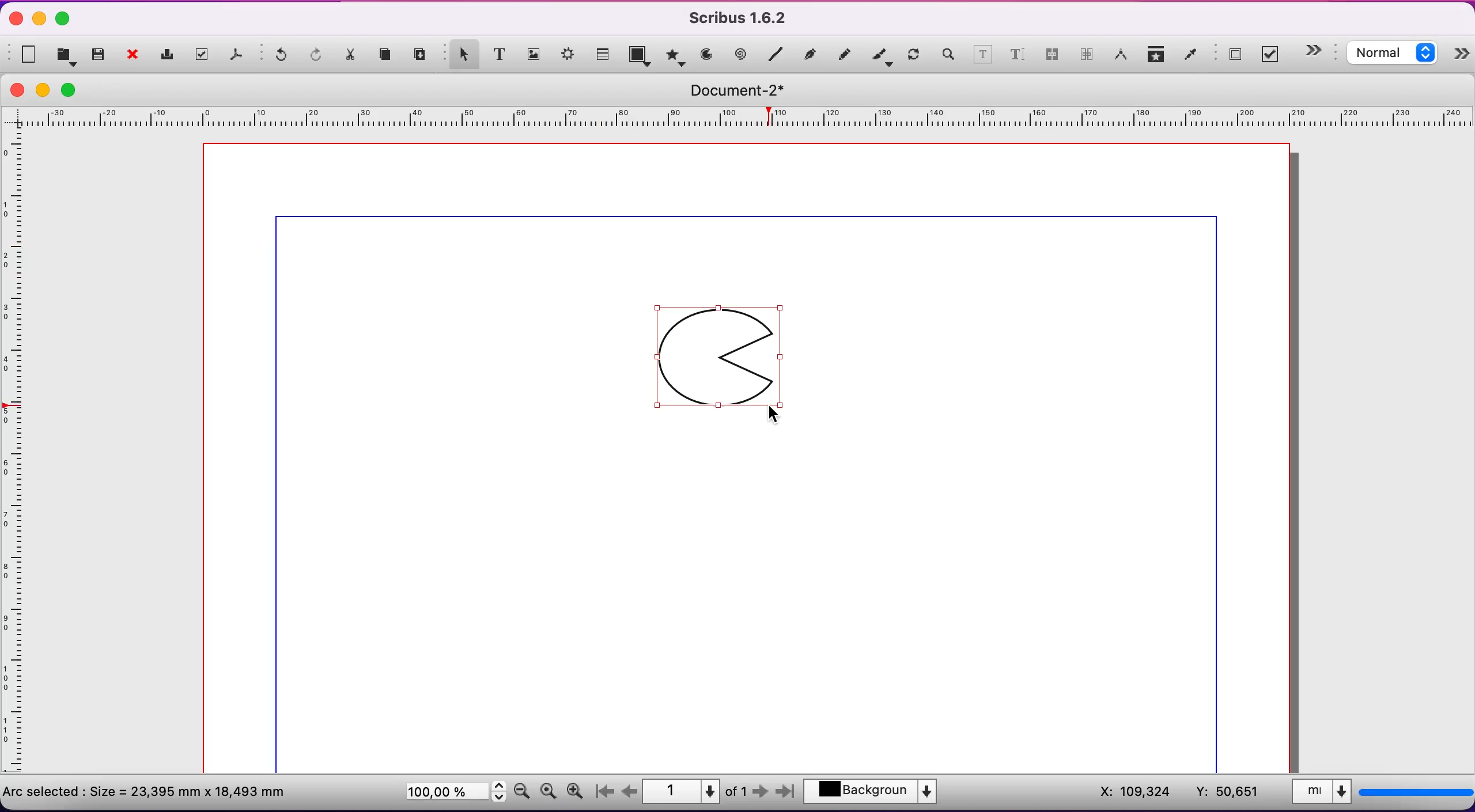 Image resolution: width=1475 pixels, height=812 pixels. What do you see at coordinates (878, 793) in the screenshot?
I see `background` at bounding box center [878, 793].